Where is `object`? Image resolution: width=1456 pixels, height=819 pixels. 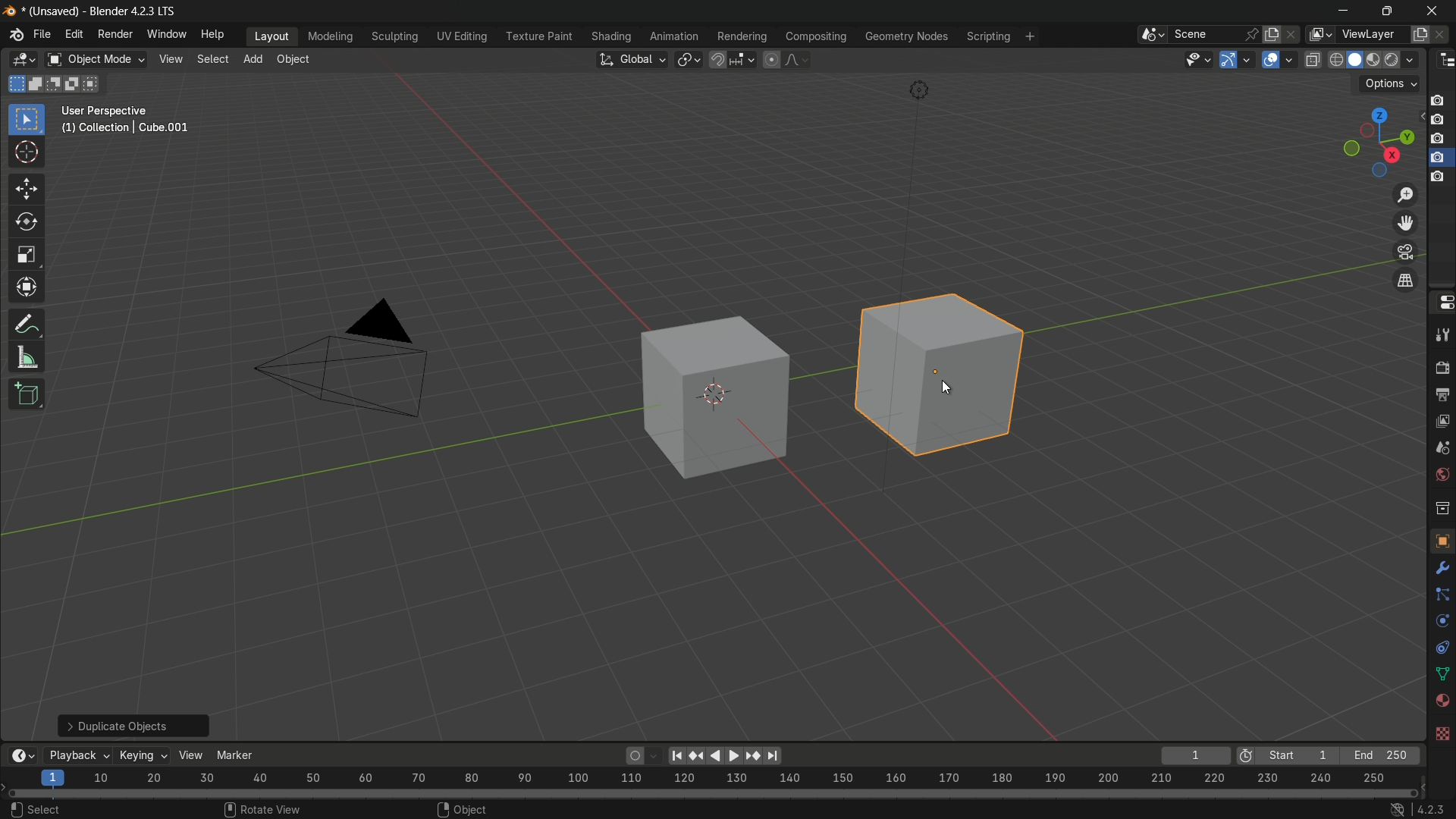
object is located at coordinates (701, 404).